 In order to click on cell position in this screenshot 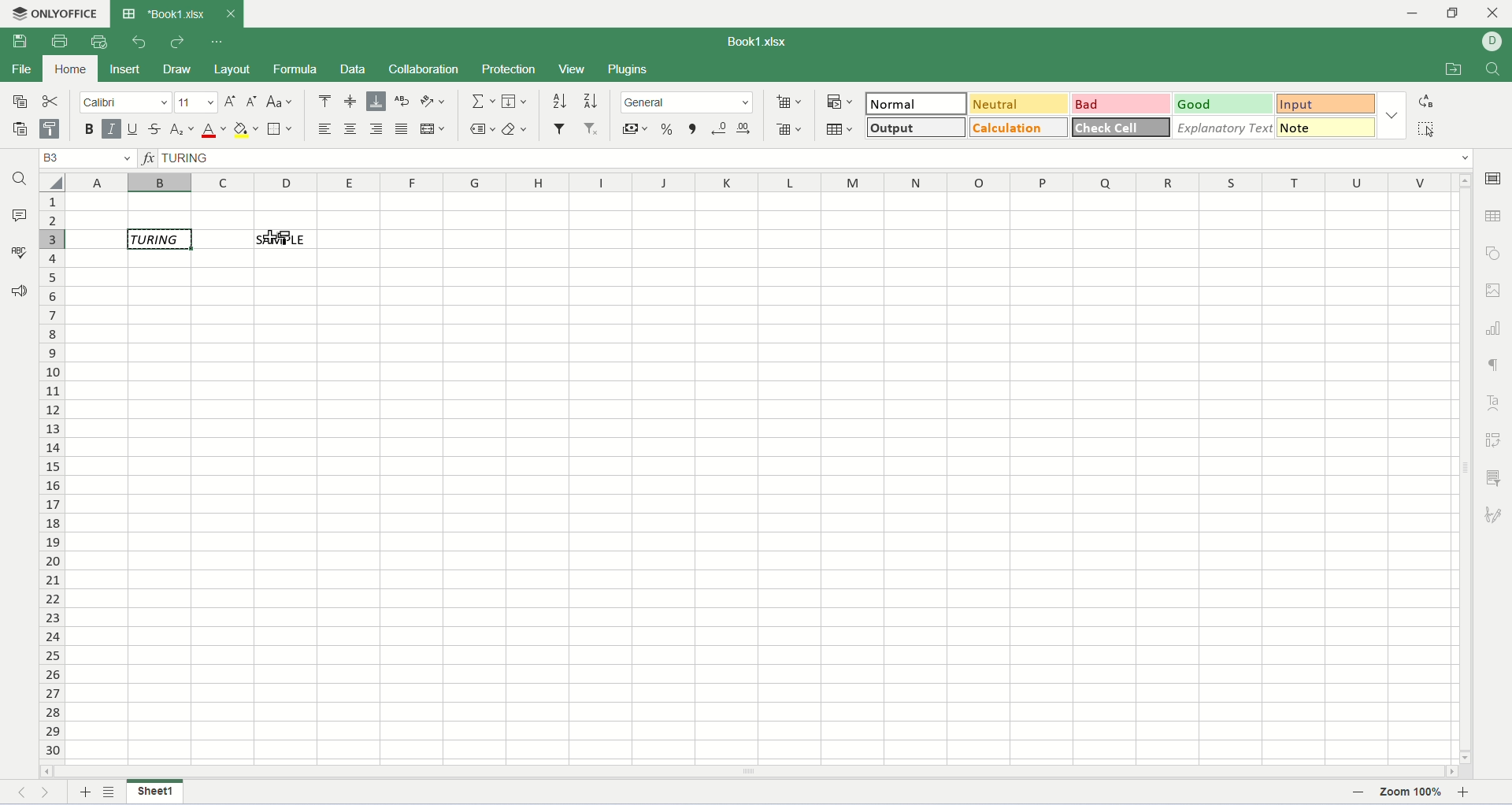, I will do `click(90, 158)`.